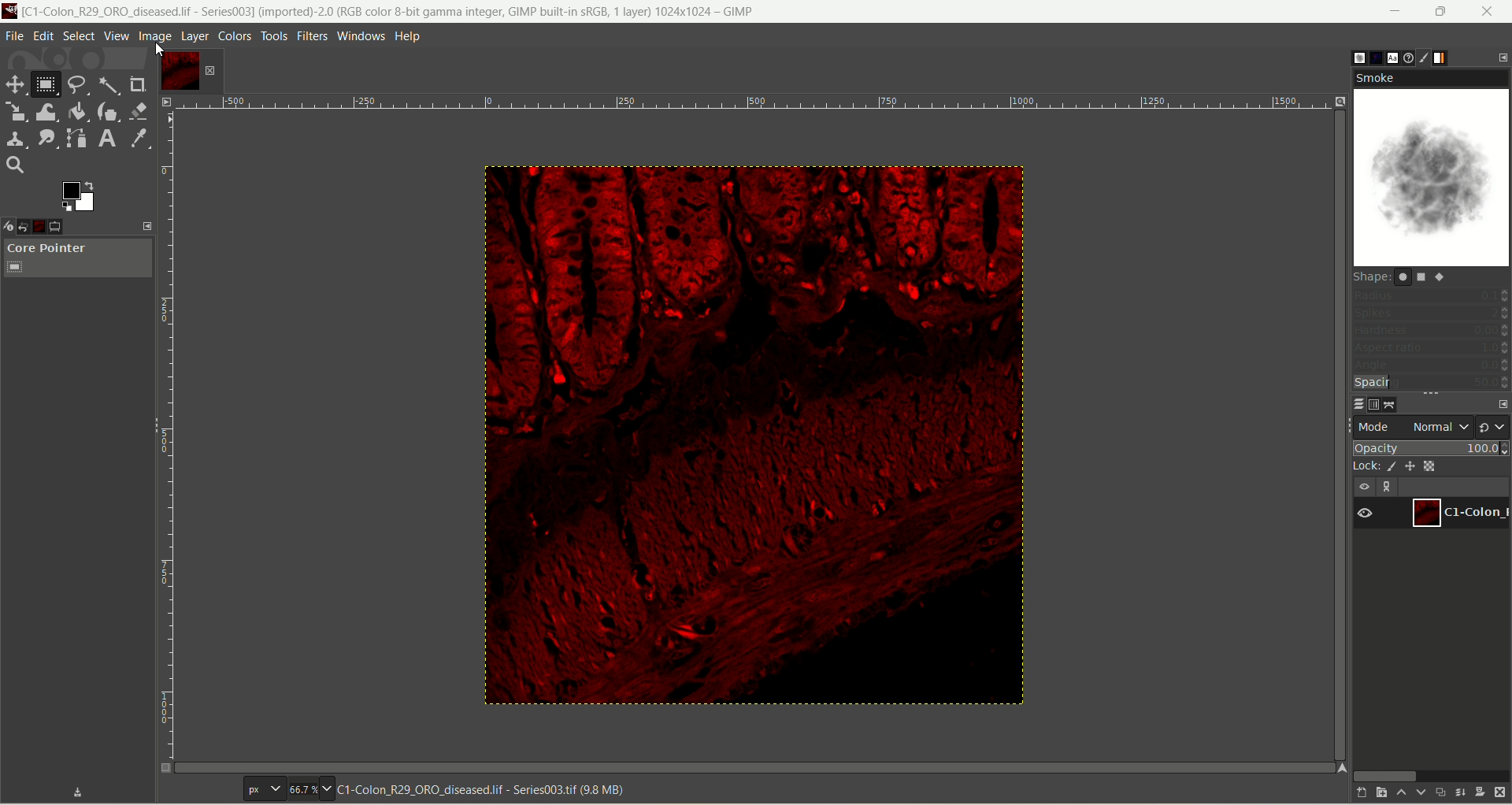 The height and width of the screenshot is (805, 1512). Describe the element at coordinates (361, 36) in the screenshot. I see `windows` at that location.